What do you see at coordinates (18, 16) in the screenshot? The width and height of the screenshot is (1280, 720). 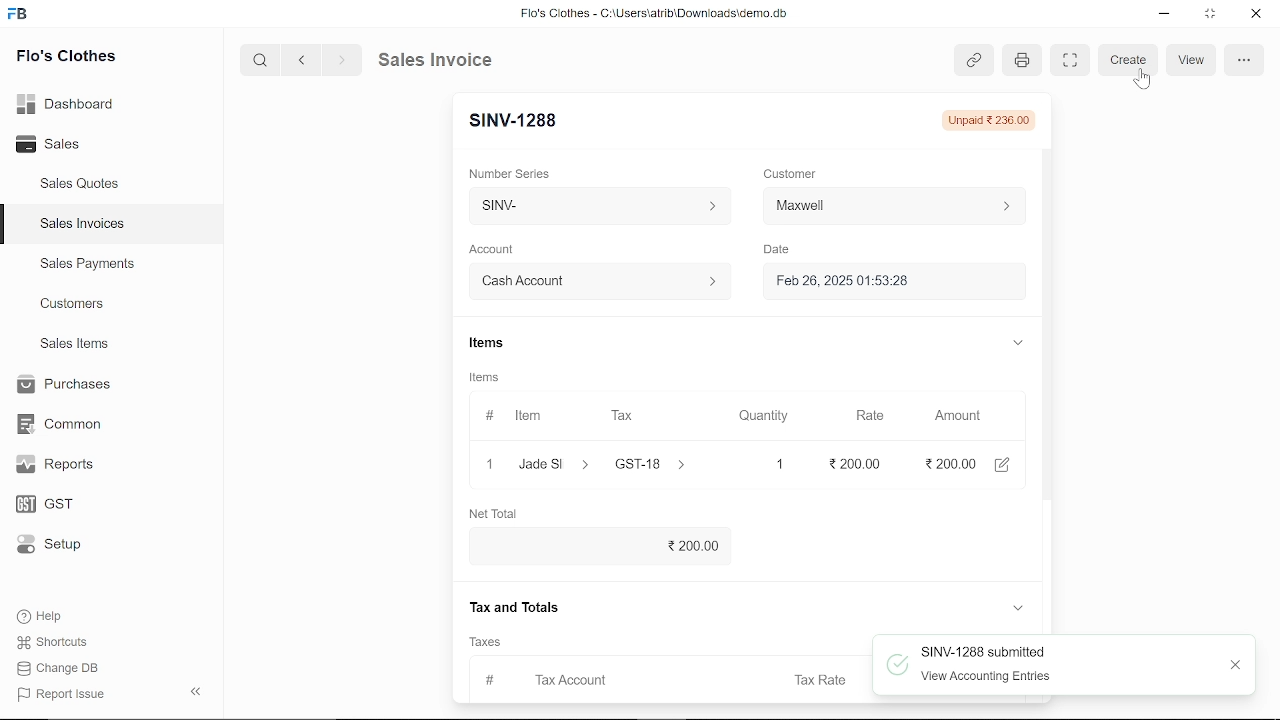 I see `frappe books` at bounding box center [18, 16].